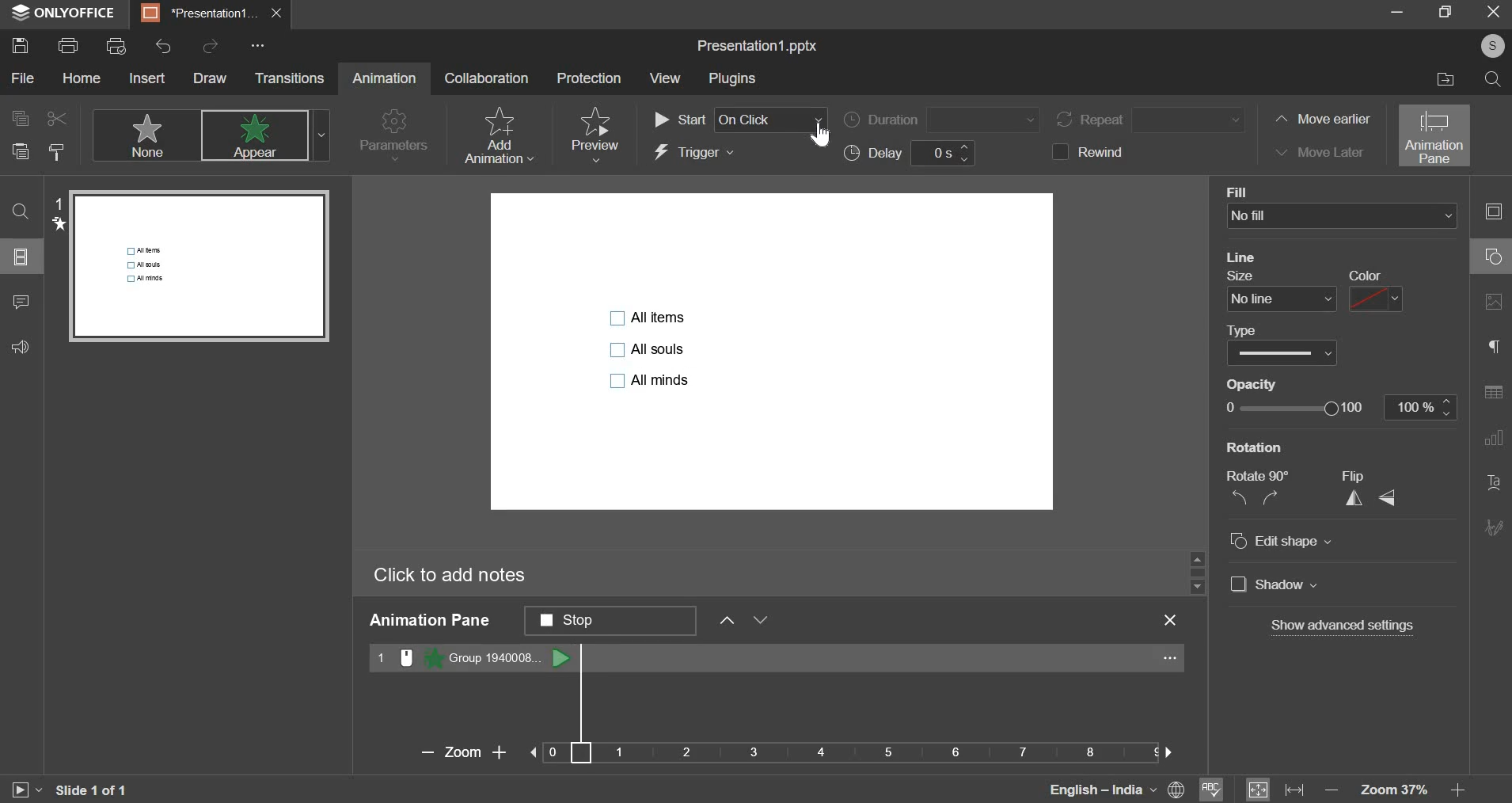  I want to click on animation pane, so click(1435, 135).